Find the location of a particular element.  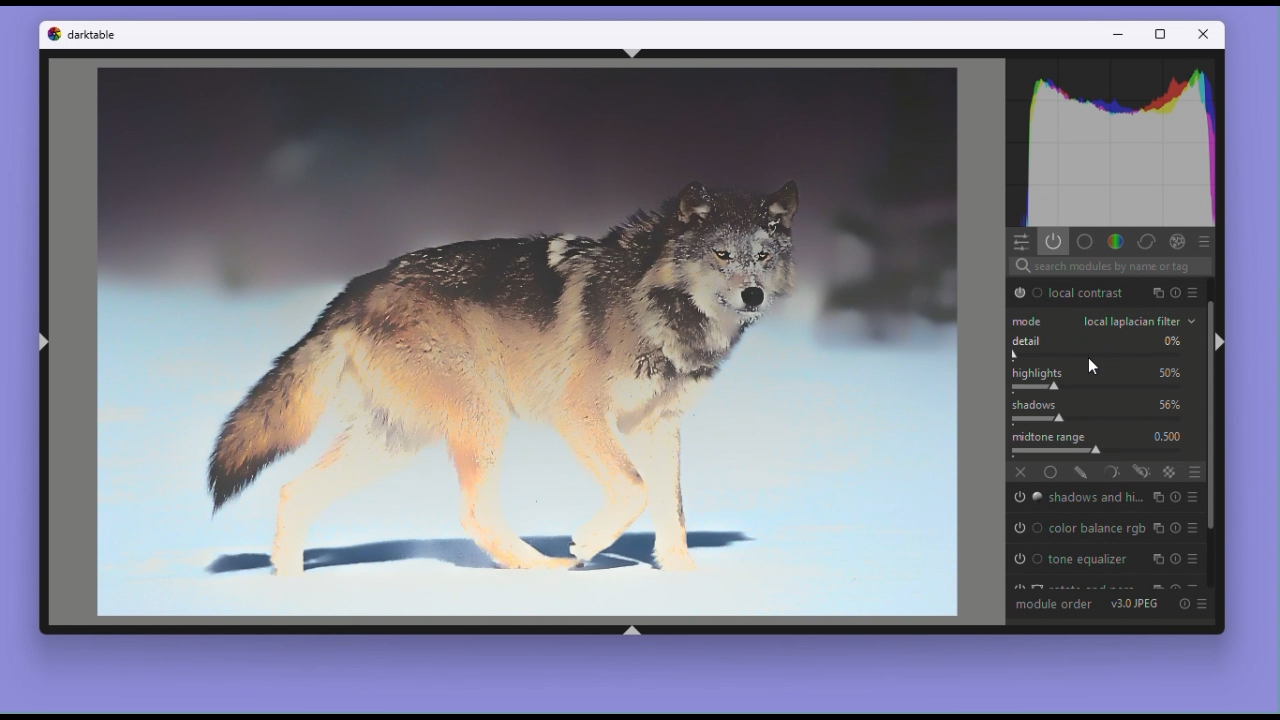

show only active modules is located at coordinates (1055, 242).